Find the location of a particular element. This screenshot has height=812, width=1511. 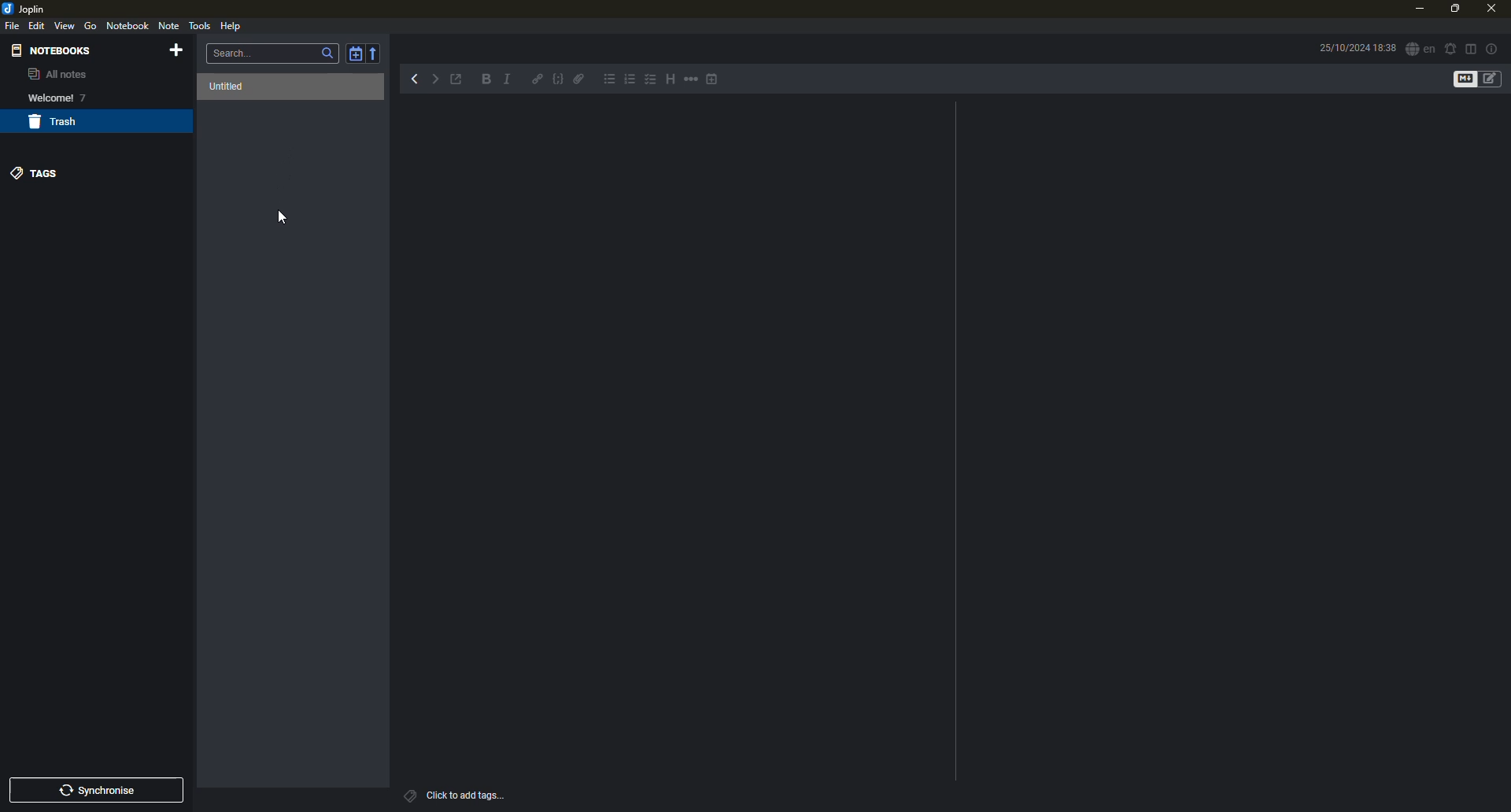

tags is located at coordinates (38, 172).